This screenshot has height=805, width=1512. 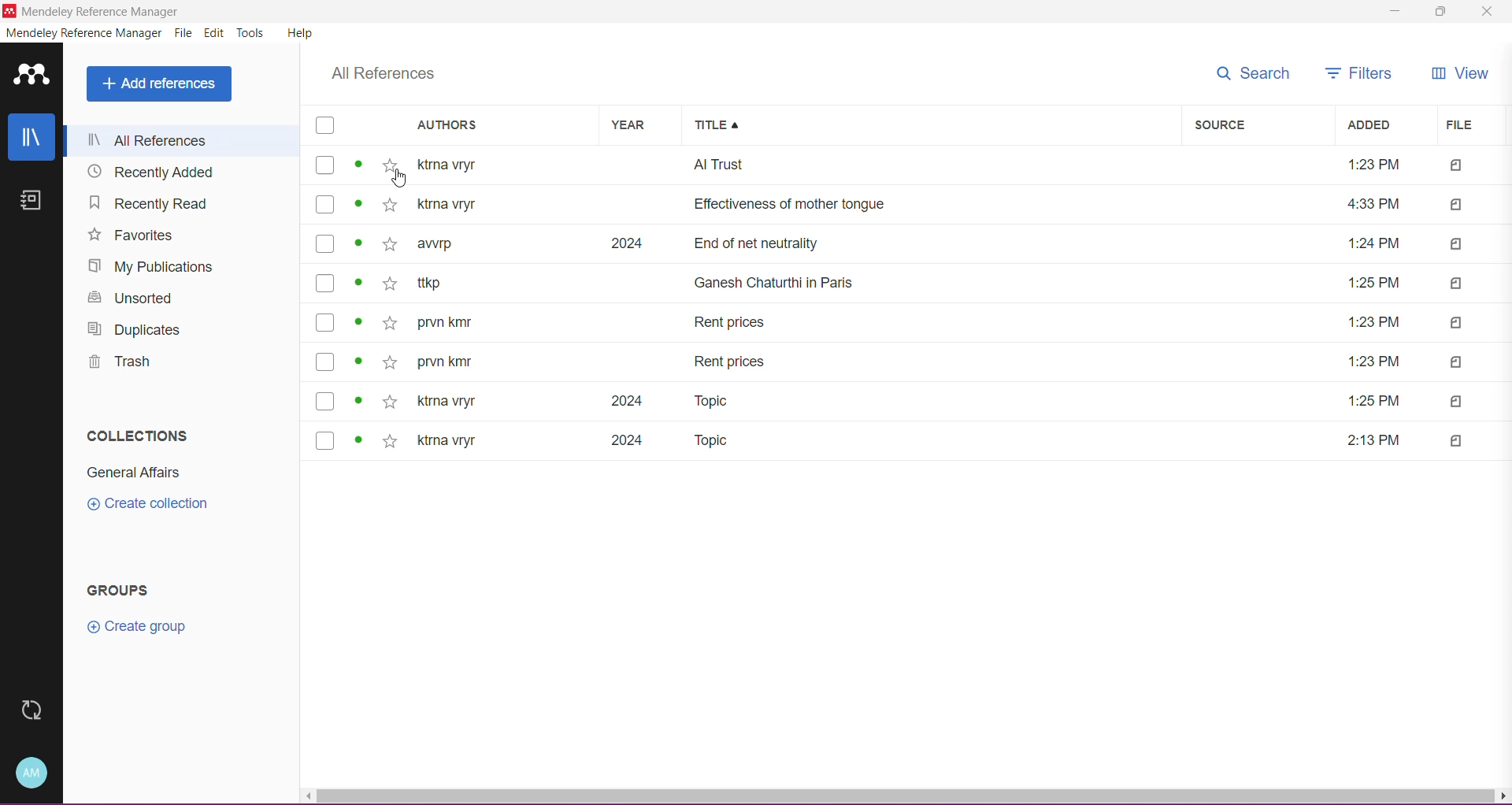 What do you see at coordinates (496, 125) in the screenshot?
I see `Authors` at bounding box center [496, 125].